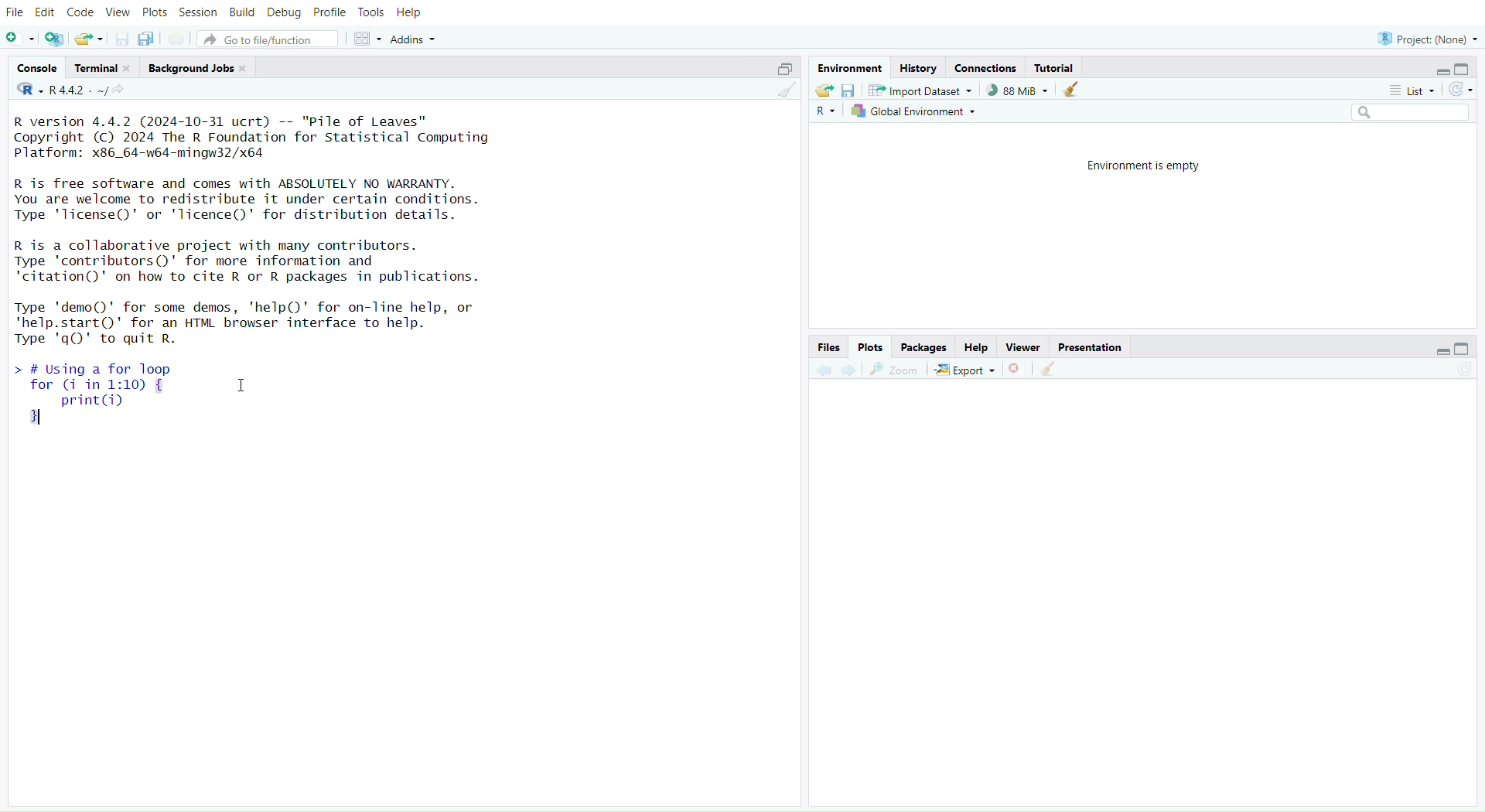 The height and width of the screenshot is (812, 1485). What do you see at coordinates (918, 68) in the screenshot?
I see `history` at bounding box center [918, 68].